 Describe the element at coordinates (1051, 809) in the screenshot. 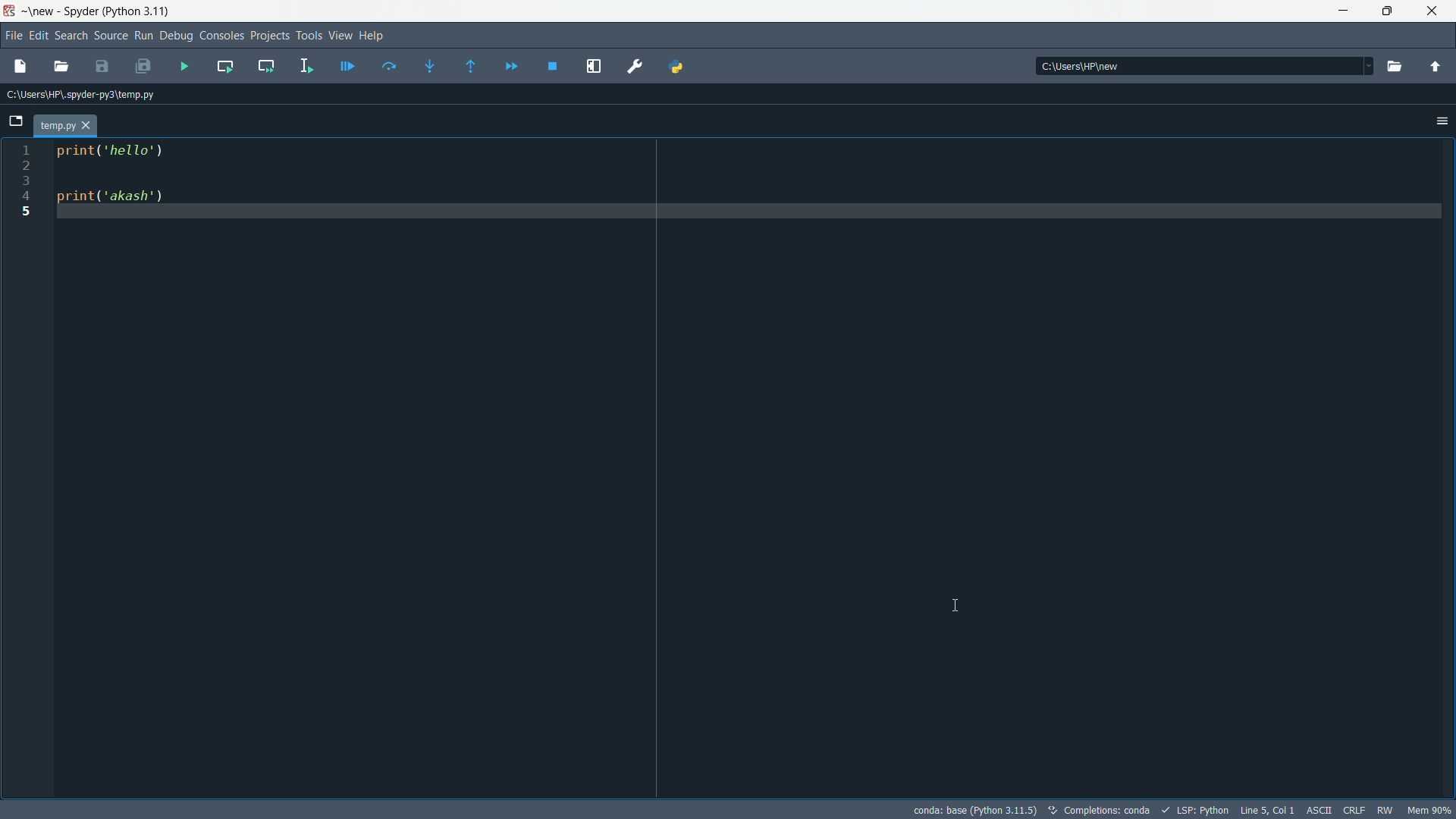

I see `Correct Code` at that location.